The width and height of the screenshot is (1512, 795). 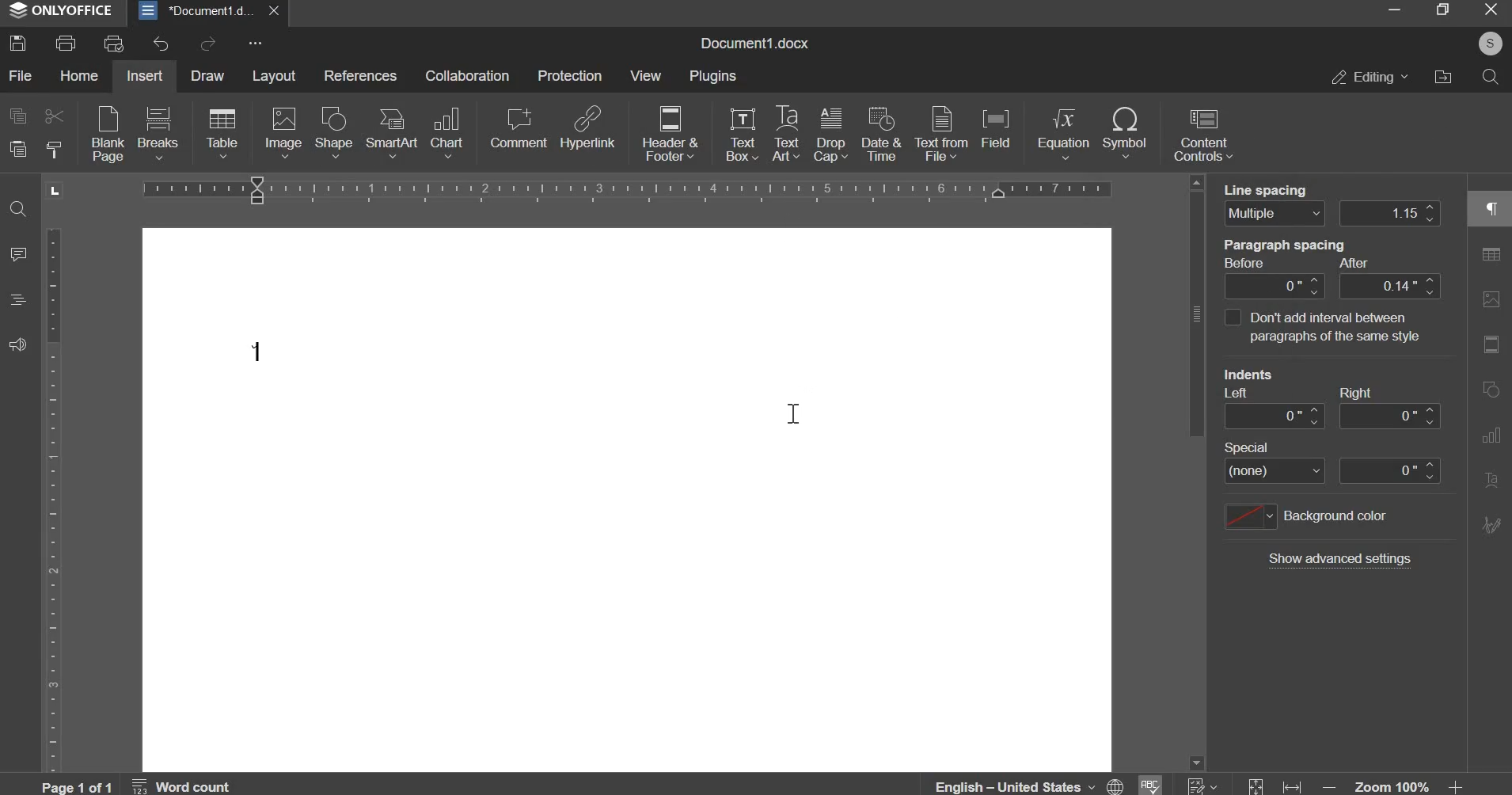 I want to click on copy style, so click(x=54, y=147).